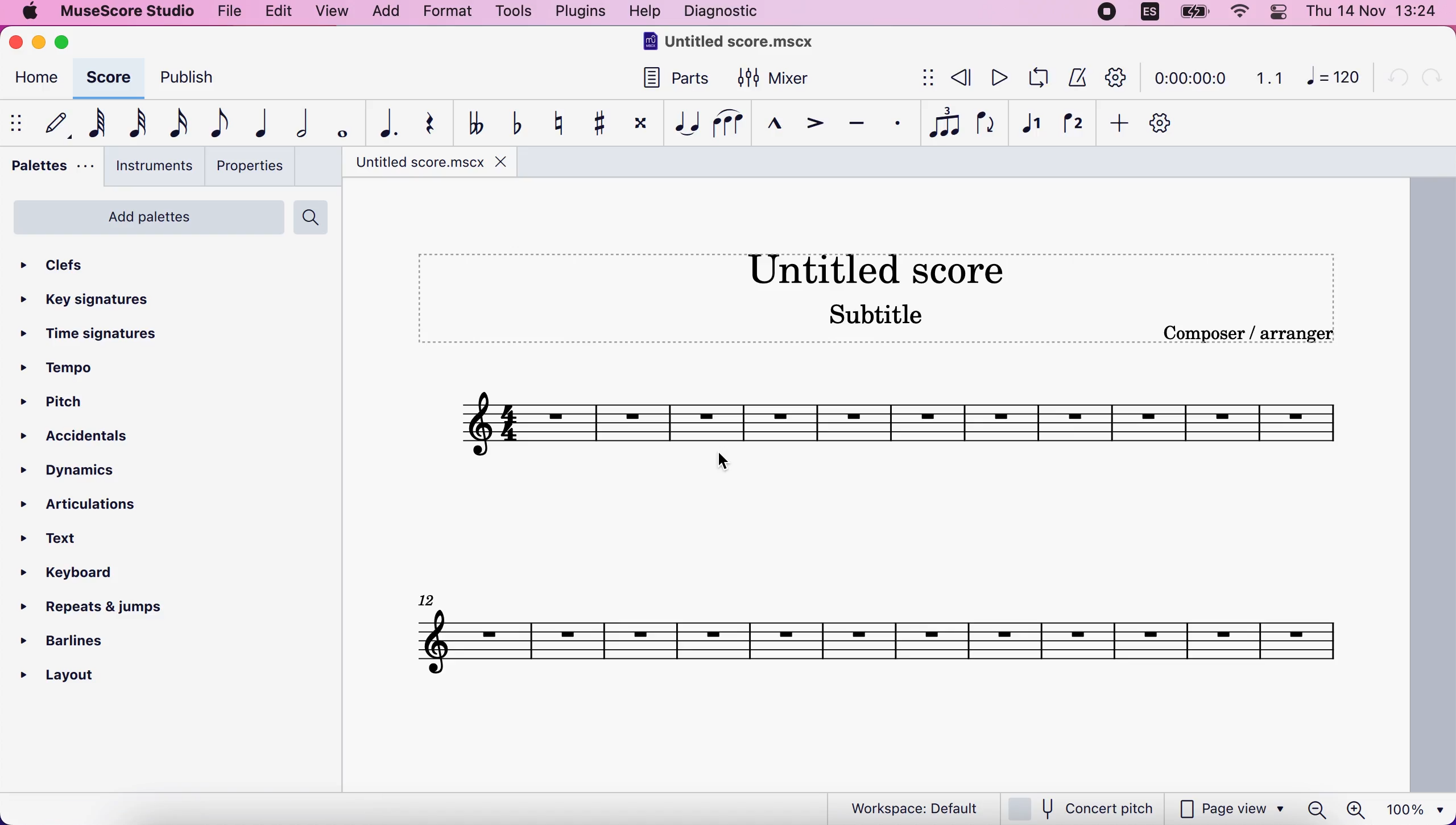  I want to click on musical scales, so click(877, 638).